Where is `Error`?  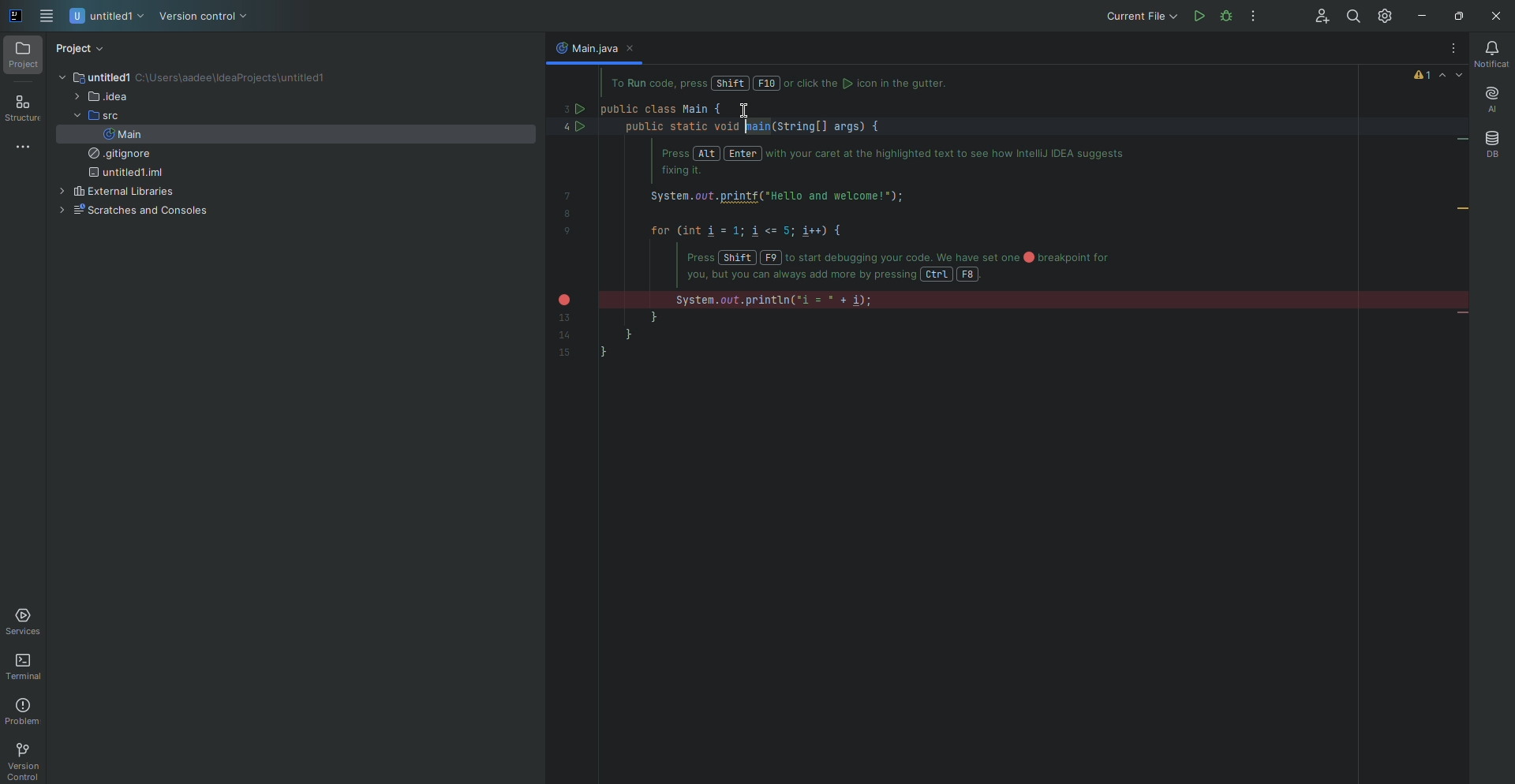 Error is located at coordinates (1439, 75).